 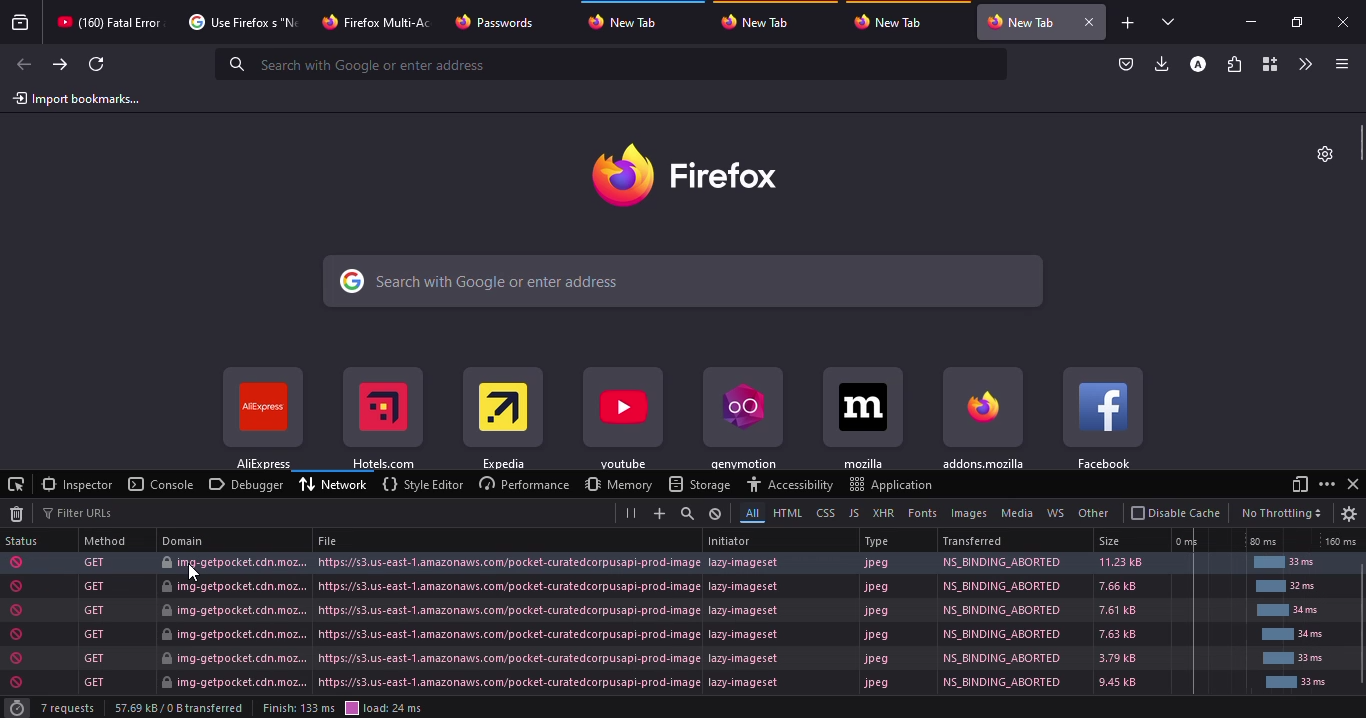 I want to click on close, so click(x=1344, y=21).